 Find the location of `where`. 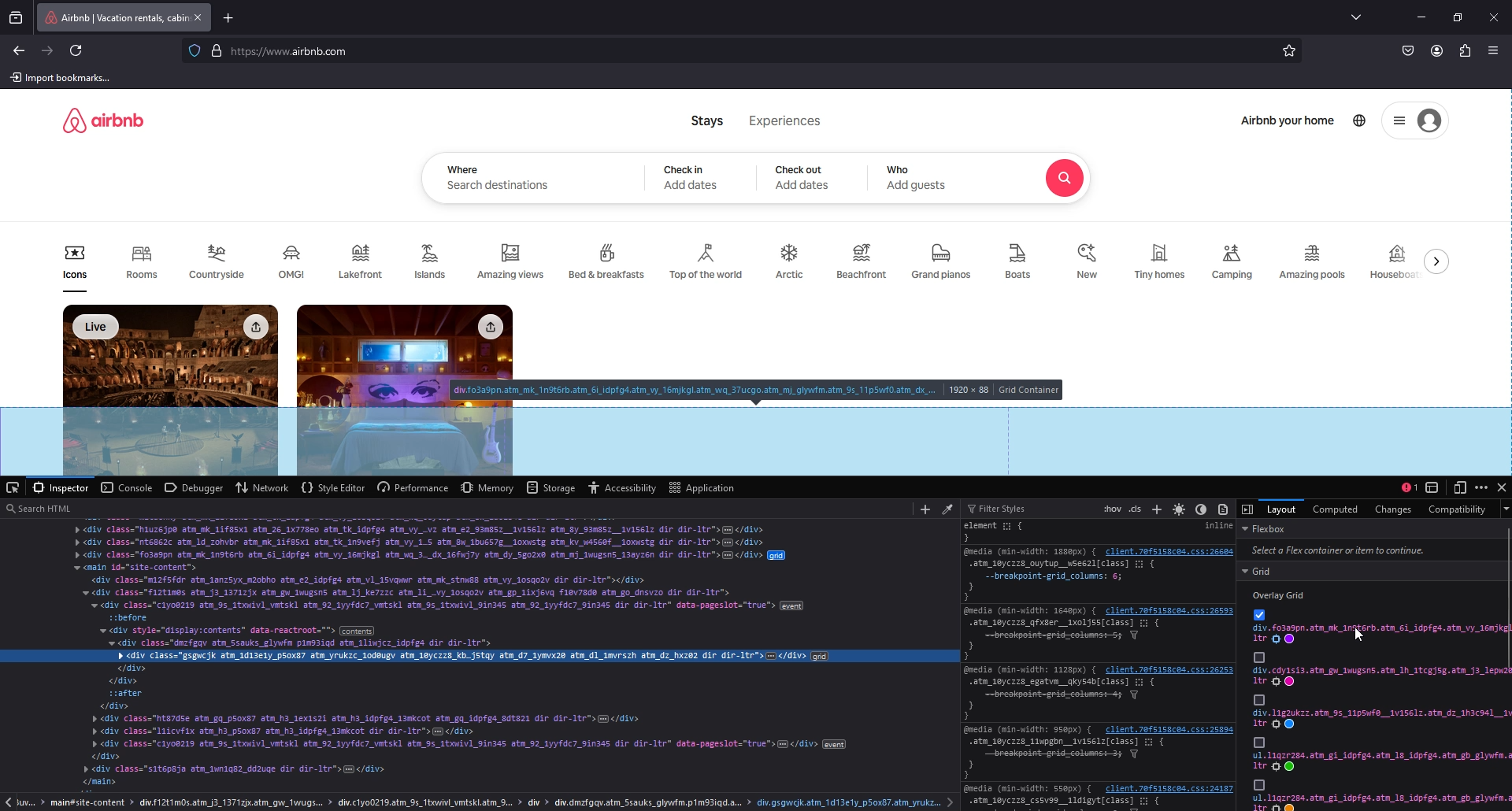

where is located at coordinates (463, 169).